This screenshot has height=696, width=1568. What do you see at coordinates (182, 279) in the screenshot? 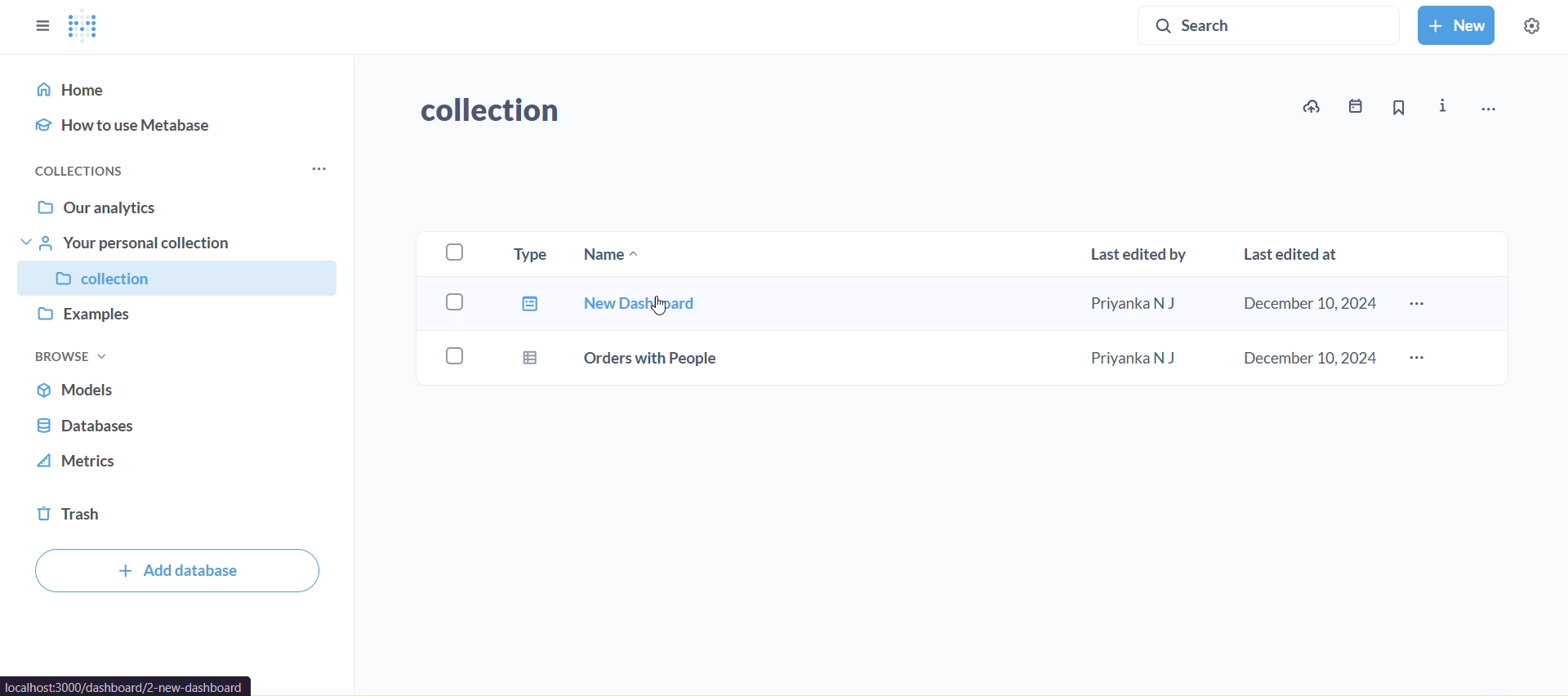
I see `collection` at bounding box center [182, 279].